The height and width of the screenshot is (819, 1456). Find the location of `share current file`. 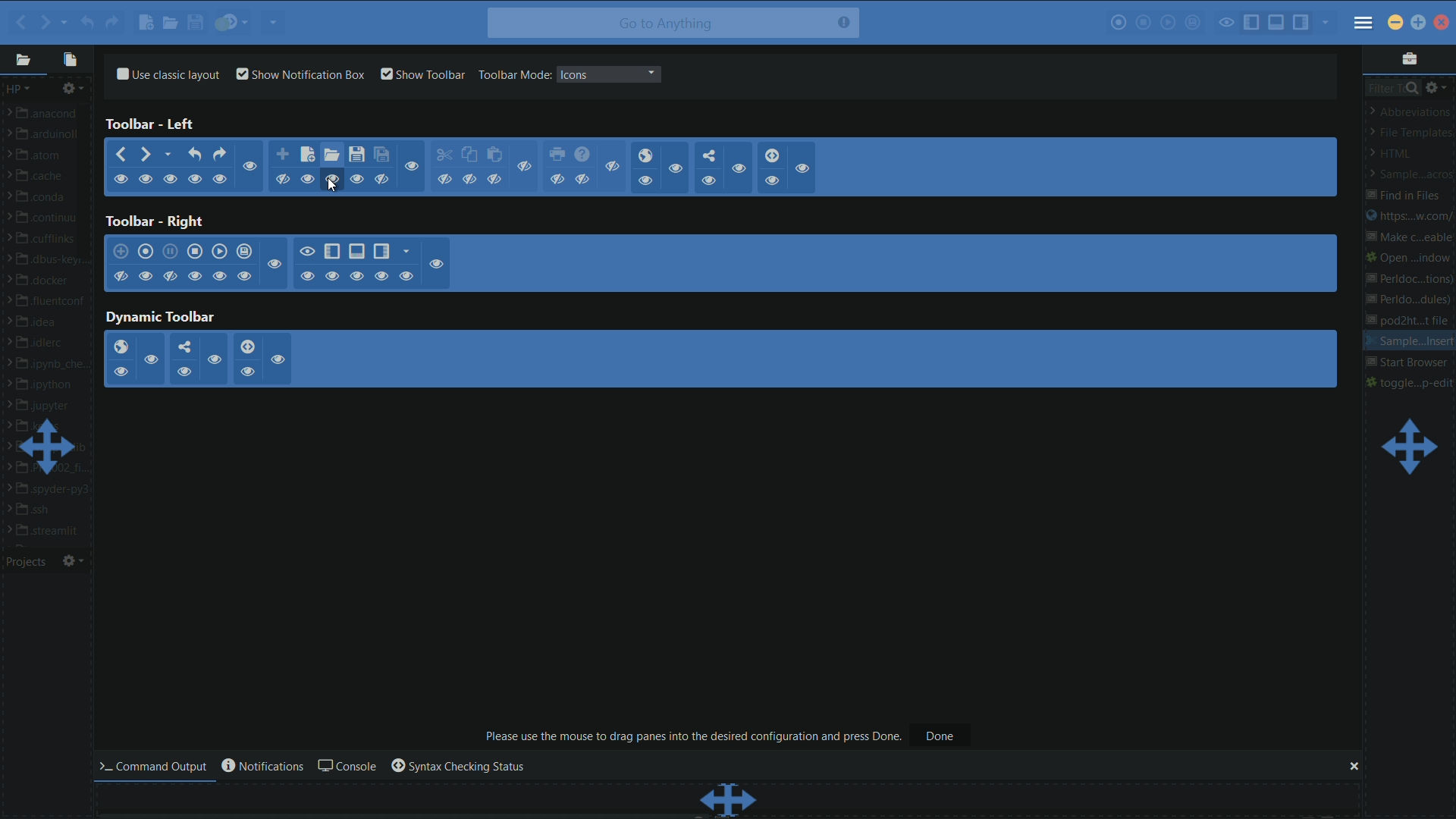

share current file is located at coordinates (182, 347).